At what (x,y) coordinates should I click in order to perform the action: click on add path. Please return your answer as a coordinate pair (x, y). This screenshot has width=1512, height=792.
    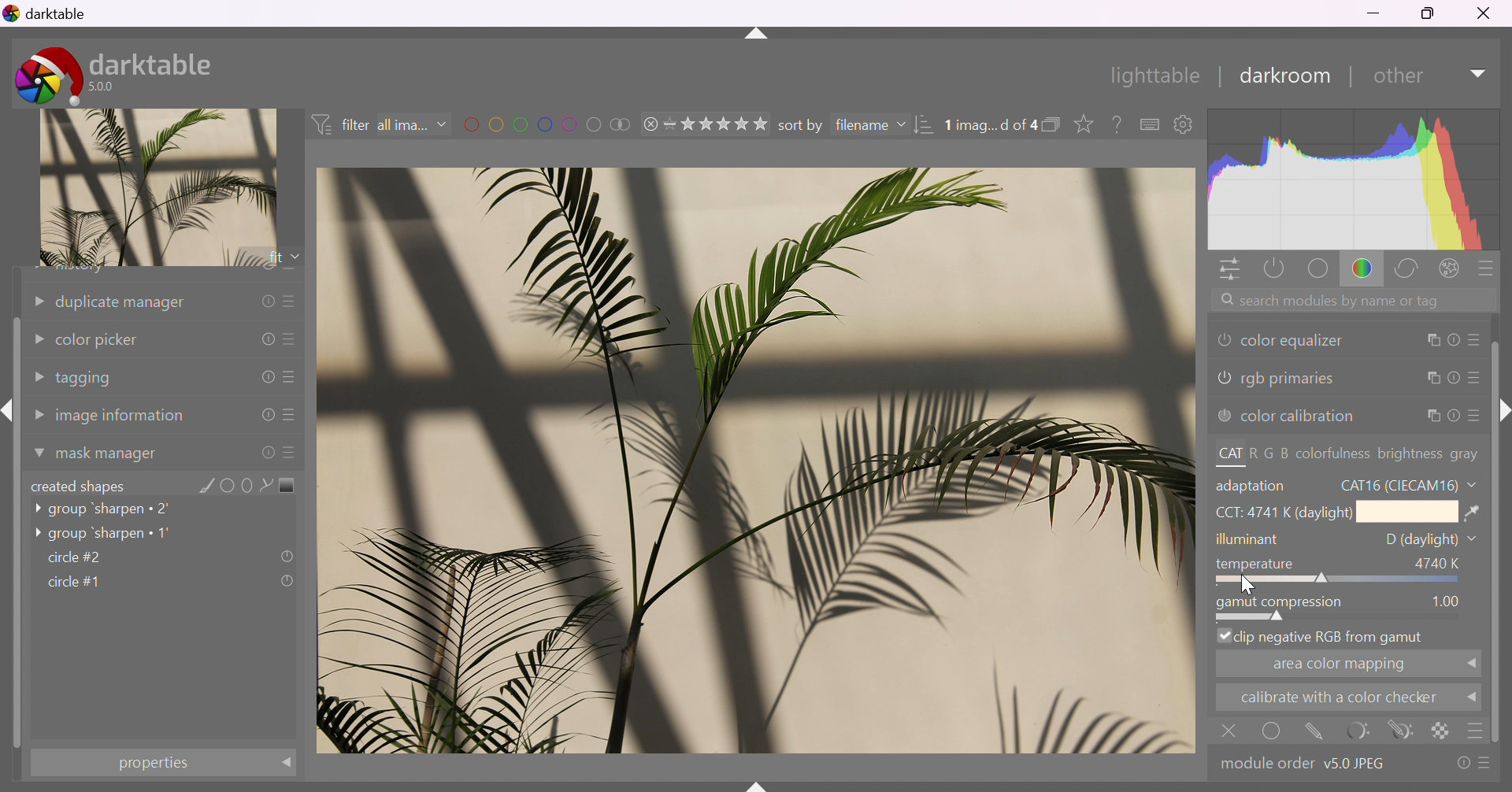
    Looking at the image, I should click on (267, 485).